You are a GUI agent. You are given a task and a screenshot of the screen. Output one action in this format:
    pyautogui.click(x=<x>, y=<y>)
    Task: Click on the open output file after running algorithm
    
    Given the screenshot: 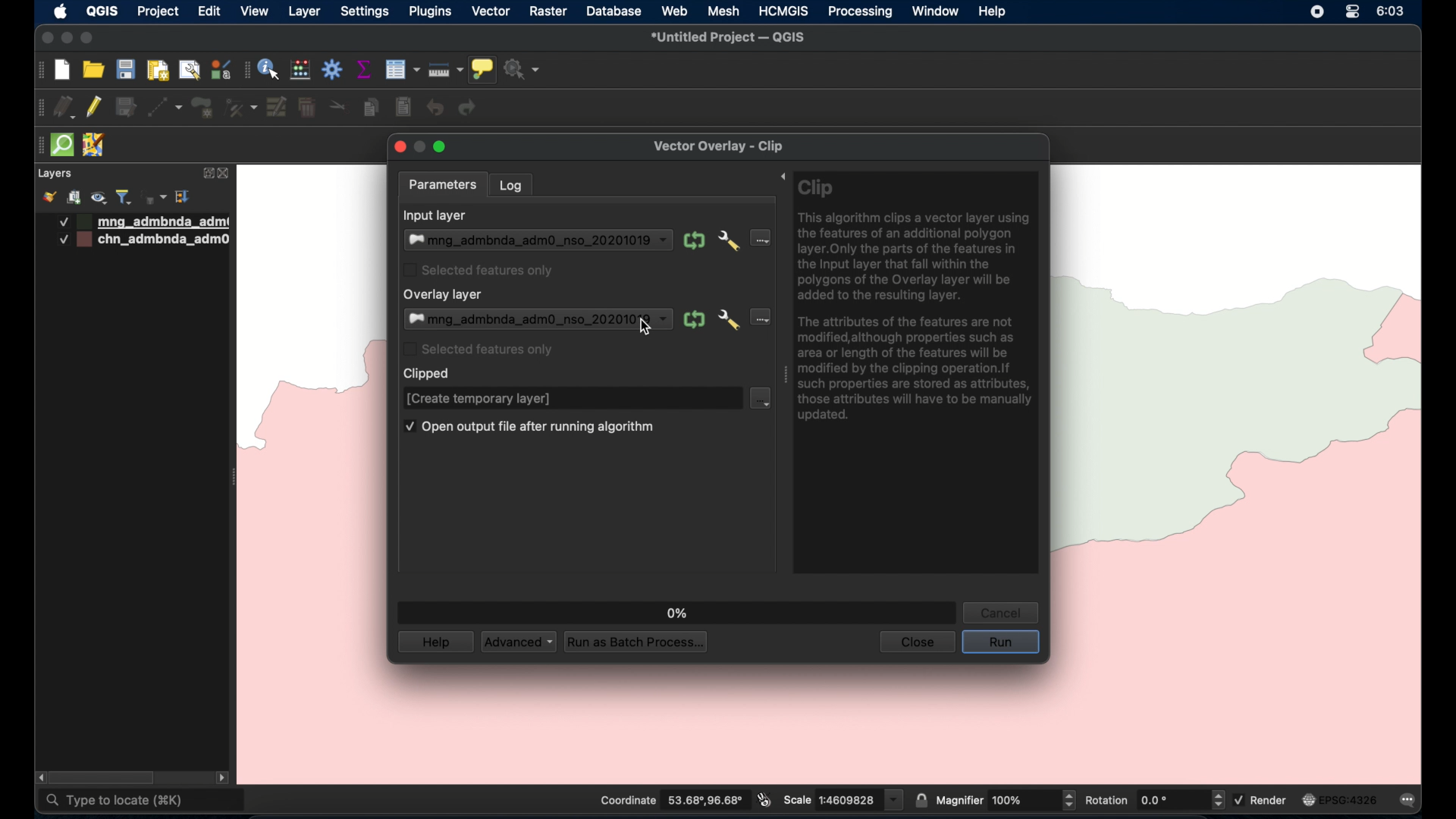 What is the action you would take?
    pyautogui.click(x=530, y=428)
    